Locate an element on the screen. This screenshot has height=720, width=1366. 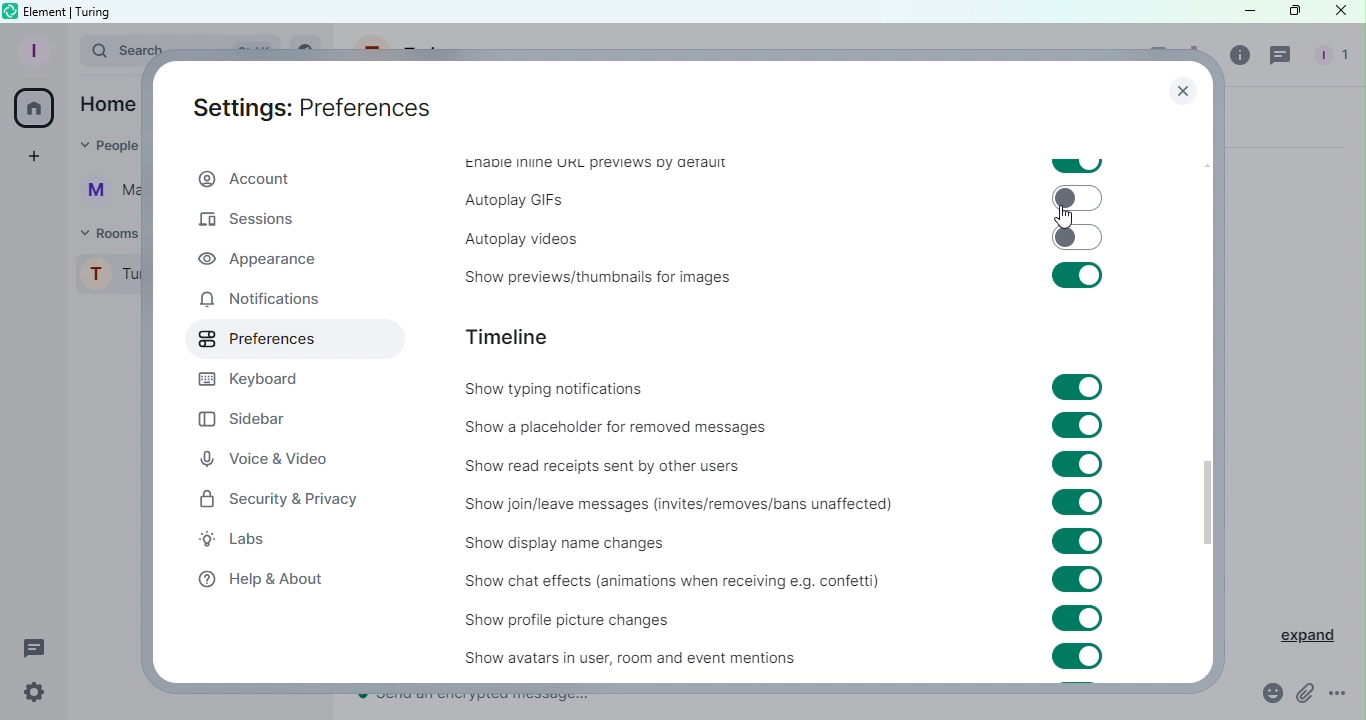
Notifications is located at coordinates (258, 299).